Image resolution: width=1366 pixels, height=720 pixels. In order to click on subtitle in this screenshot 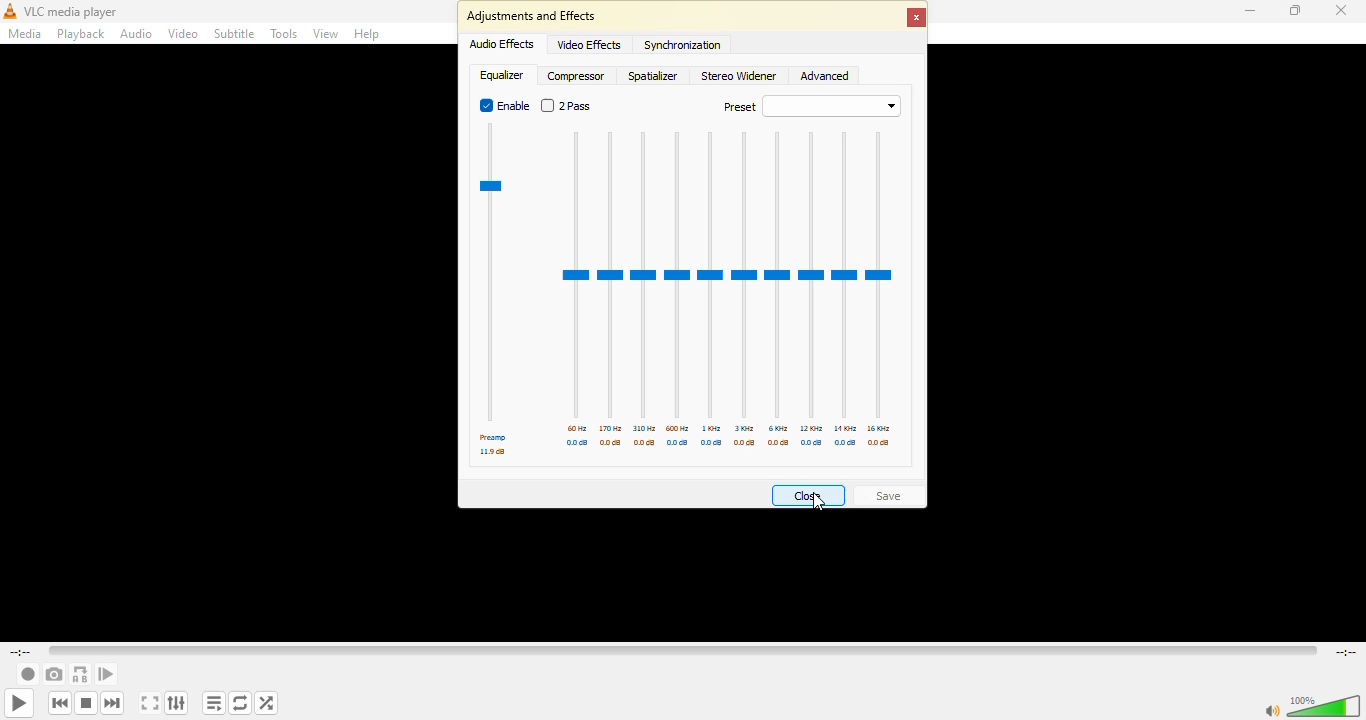, I will do `click(235, 34)`.